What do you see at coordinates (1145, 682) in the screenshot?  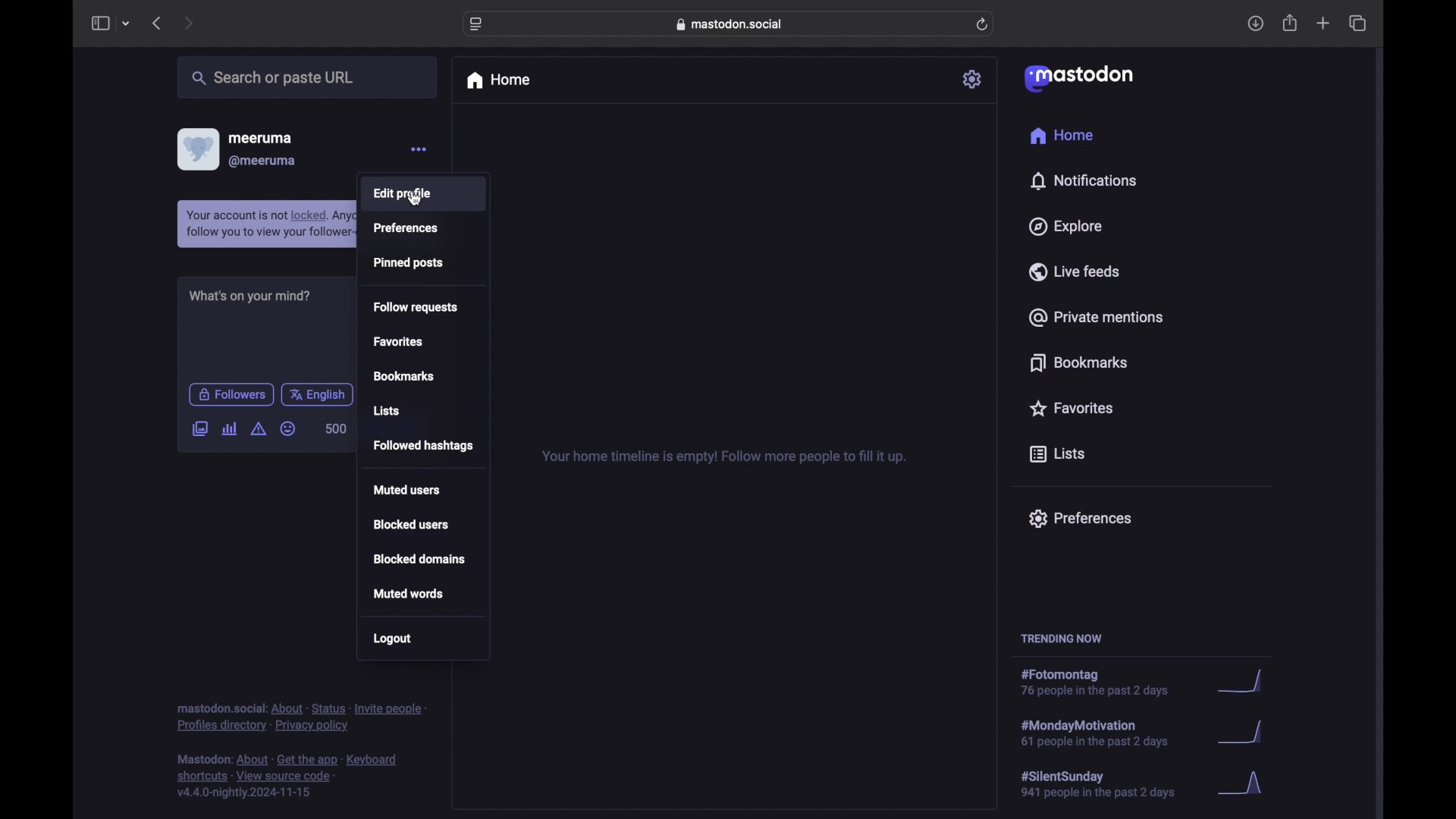 I see `hashtag trend` at bounding box center [1145, 682].